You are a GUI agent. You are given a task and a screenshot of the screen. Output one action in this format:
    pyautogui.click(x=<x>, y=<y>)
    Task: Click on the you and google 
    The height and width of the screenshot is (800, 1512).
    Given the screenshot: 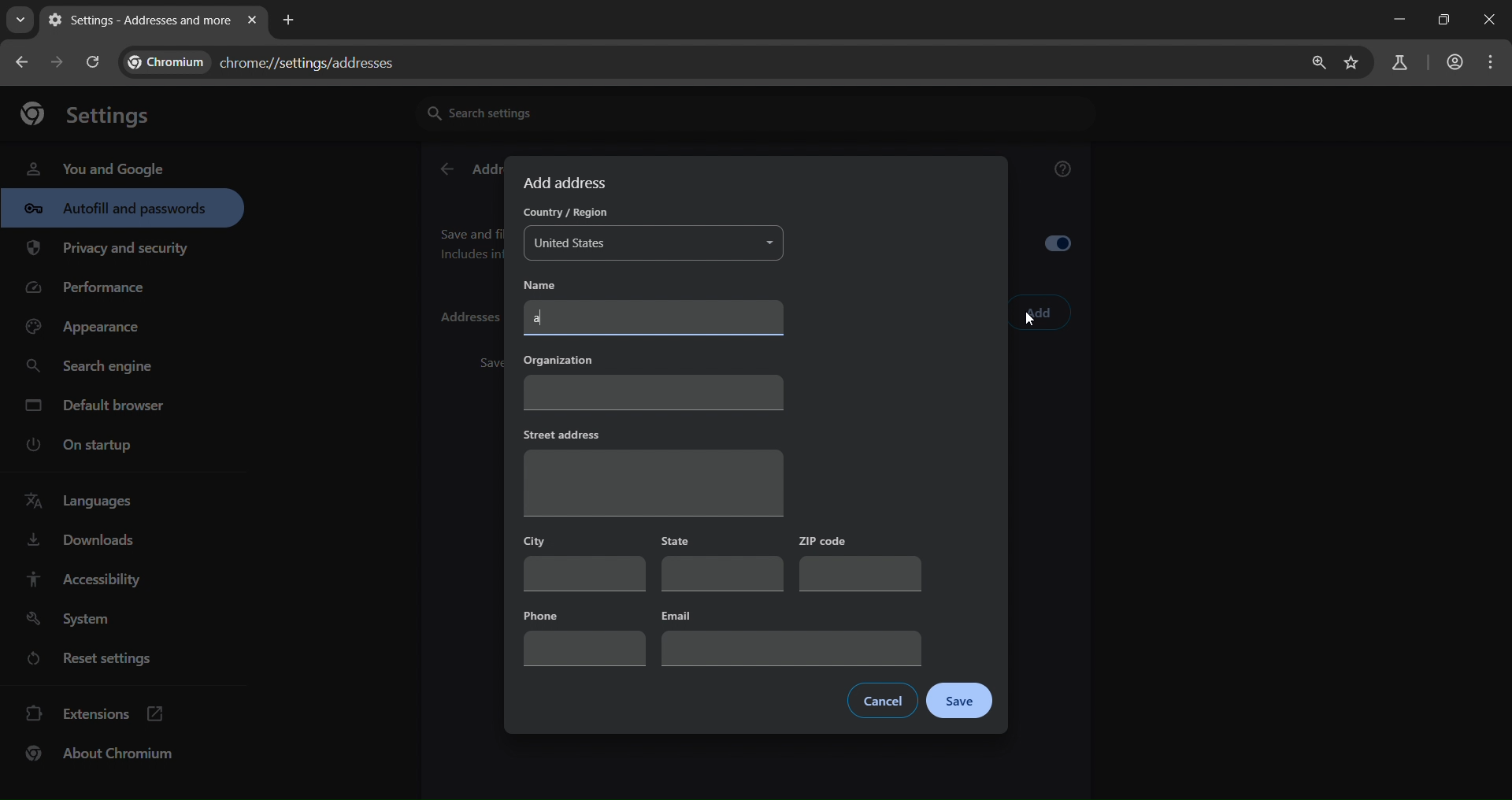 What is the action you would take?
    pyautogui.click(x=94, y=167)
    